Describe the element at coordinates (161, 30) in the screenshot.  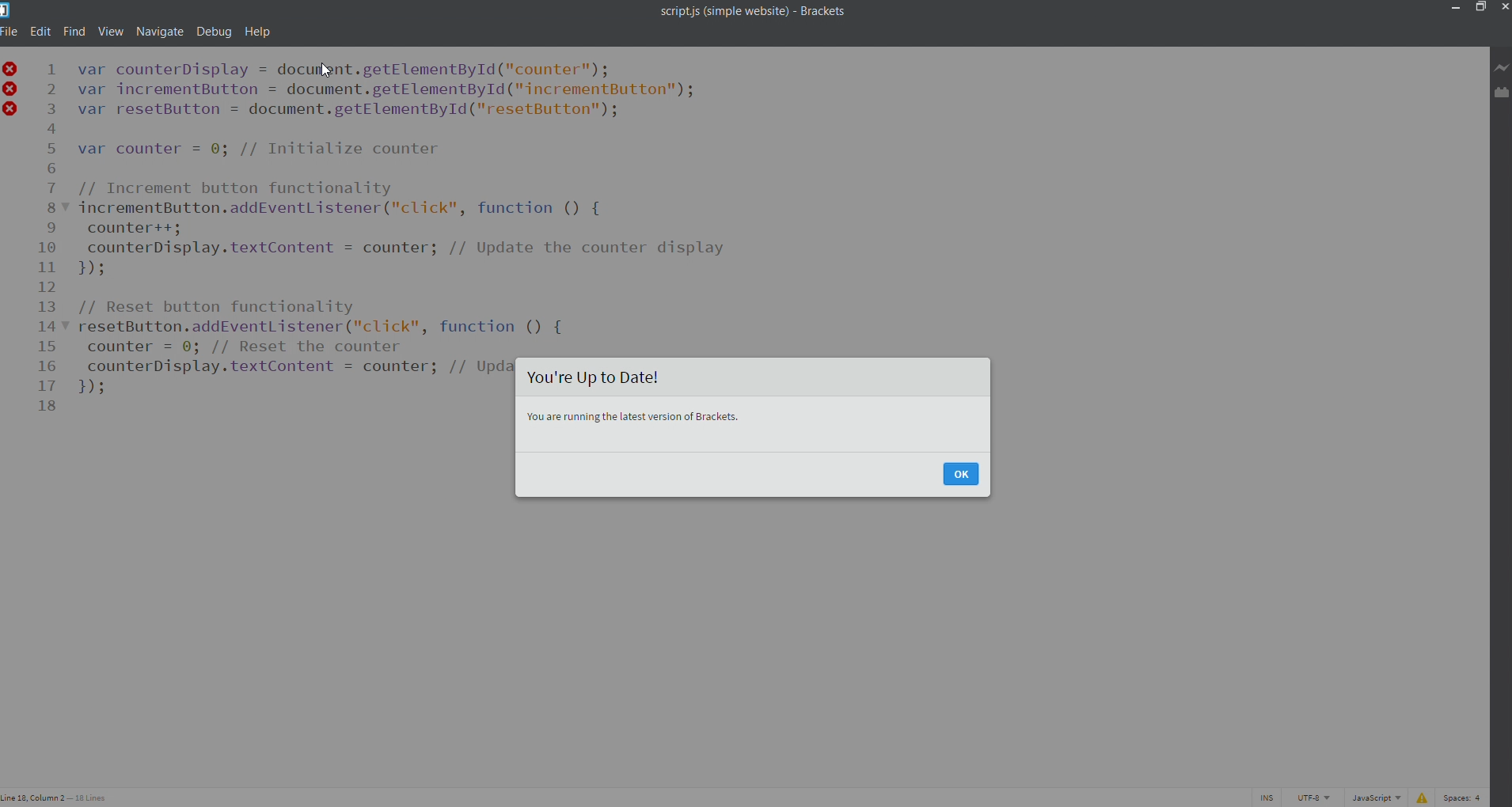
I see `navigate` at that location.